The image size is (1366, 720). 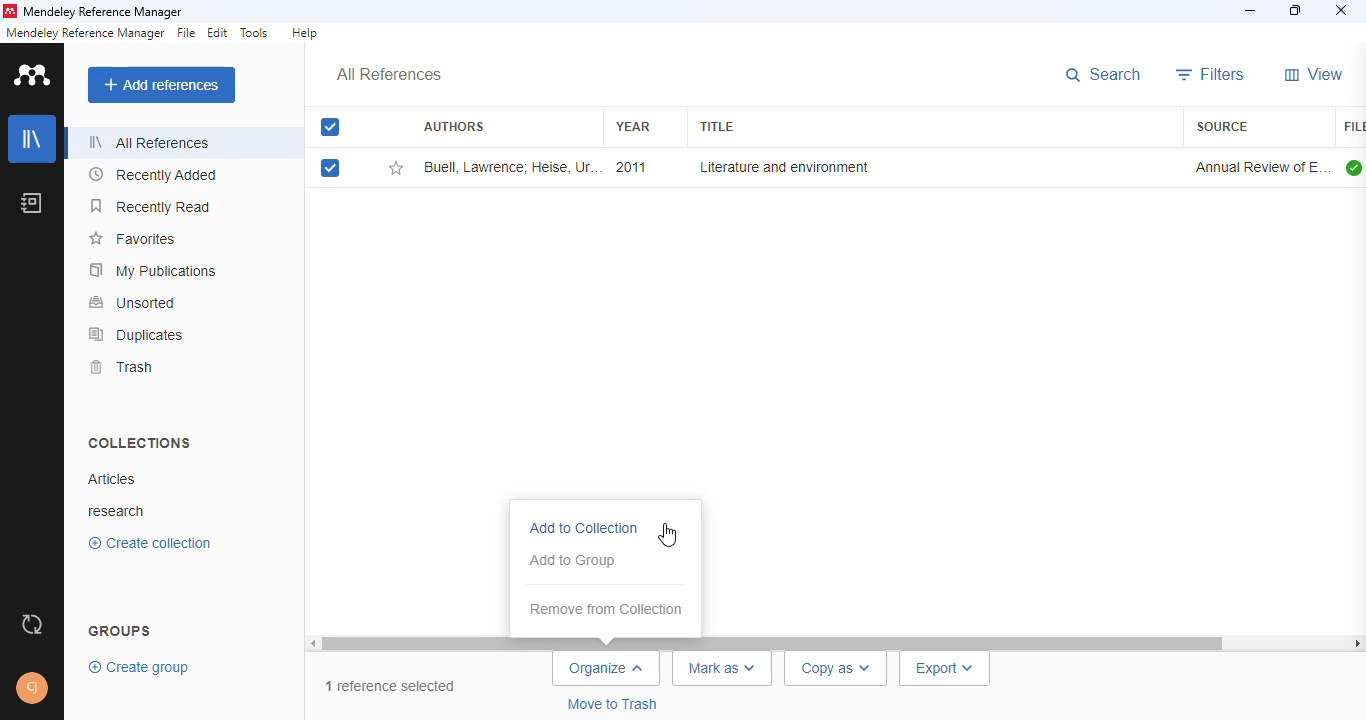 What do you see at coordinates (33, 75) in the screenshot?
I see `logo` at bounding box center [33, 75].